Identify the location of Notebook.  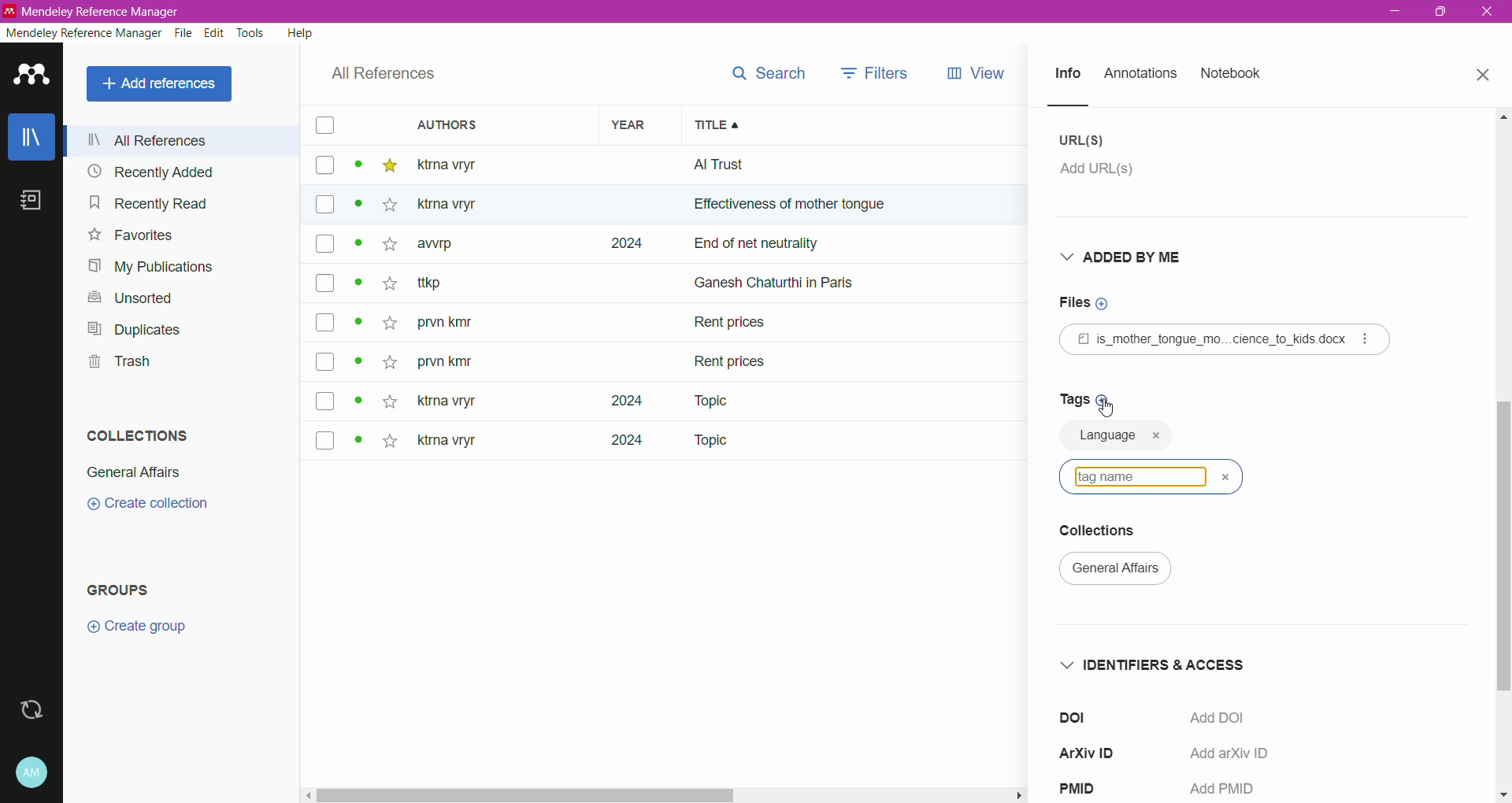
(31, 200).